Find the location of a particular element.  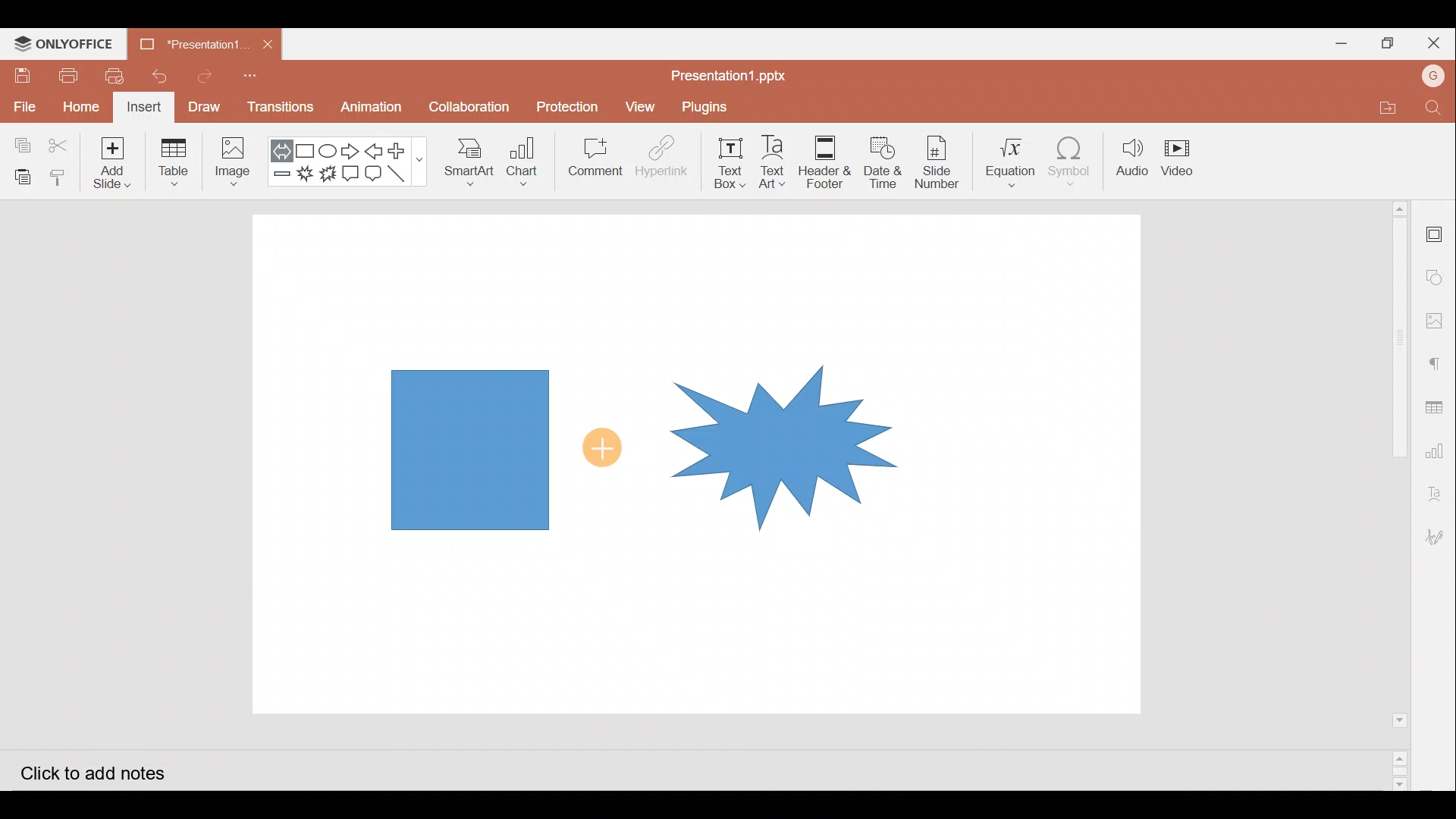

Account name is located at coordinates (1433, 78).